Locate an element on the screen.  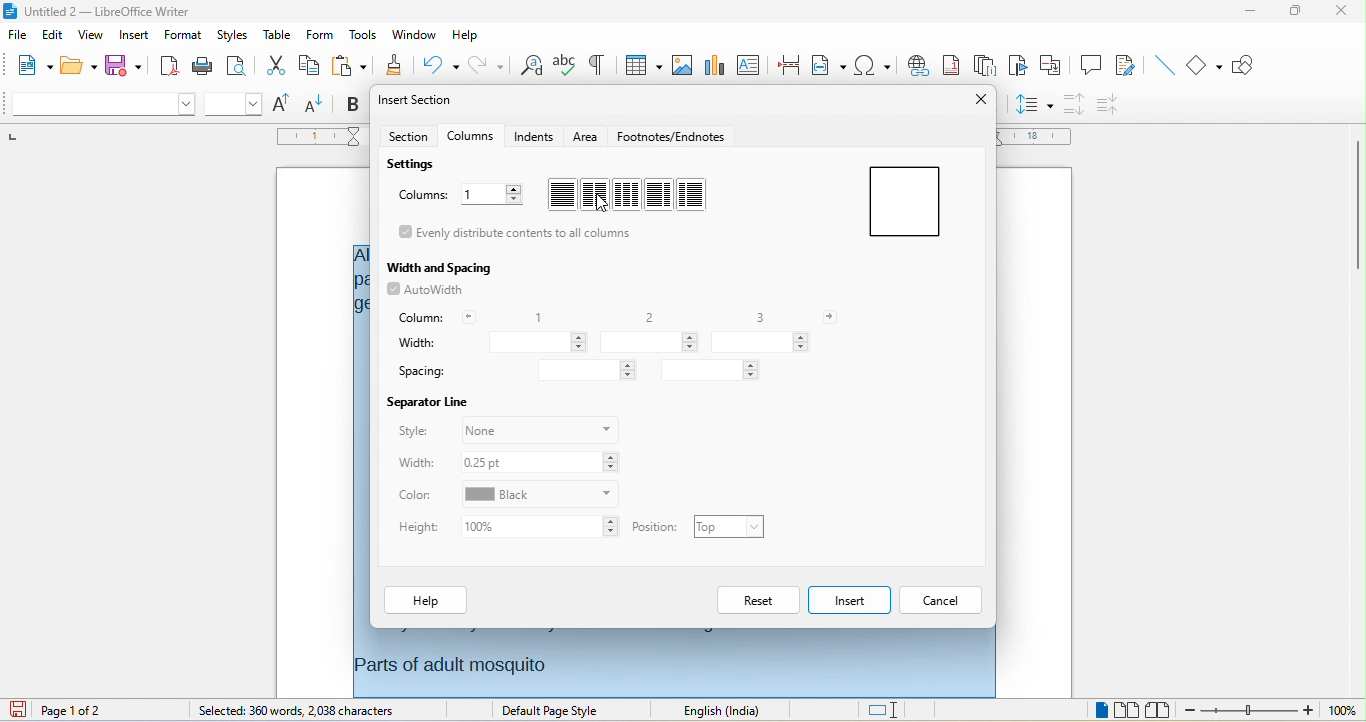
page 1 of 2 is located at coordinates (79, 710).